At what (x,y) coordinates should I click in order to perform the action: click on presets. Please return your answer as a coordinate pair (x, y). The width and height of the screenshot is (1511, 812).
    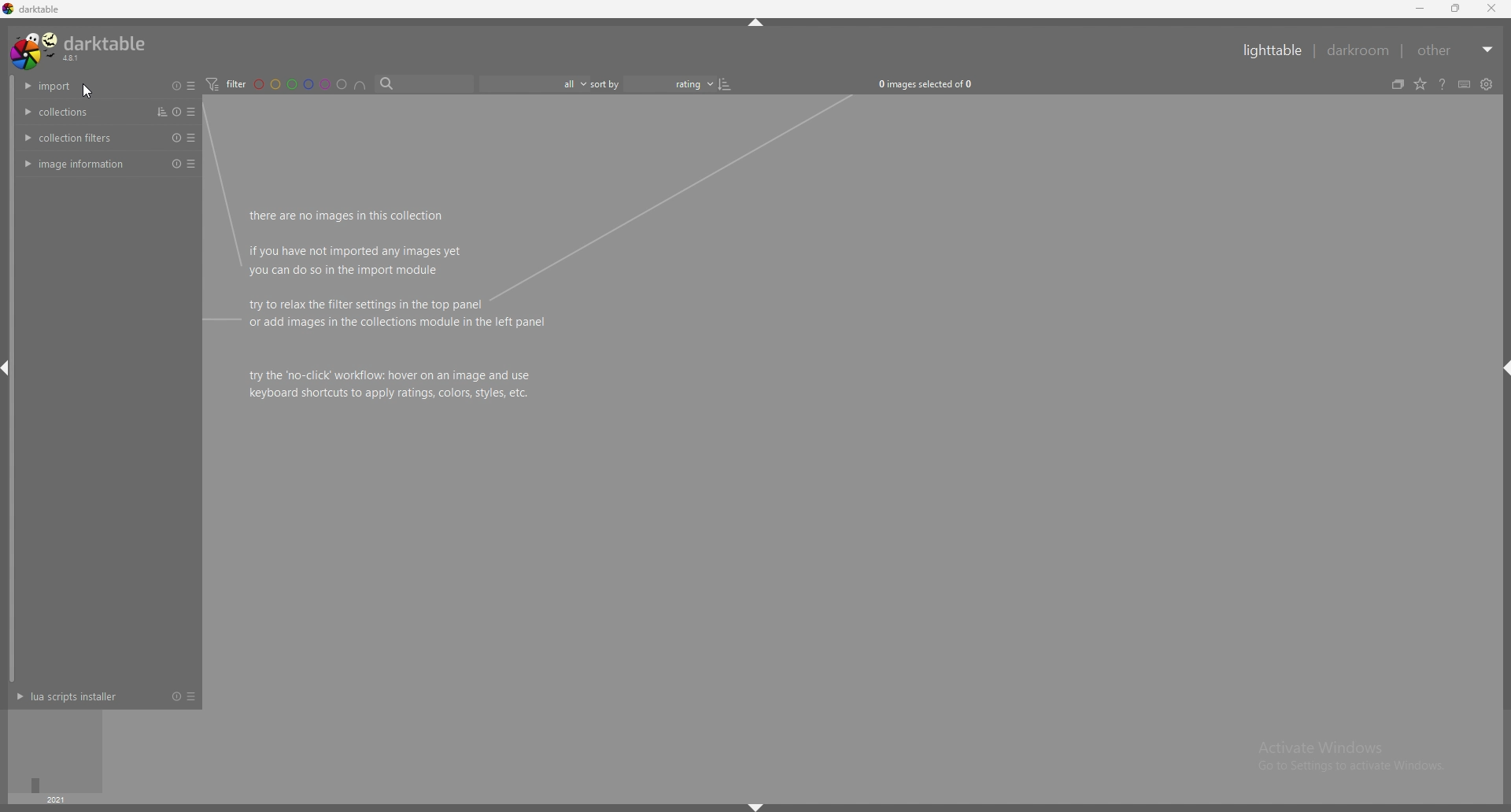
    Looking at the image, I should click on (191, 137).